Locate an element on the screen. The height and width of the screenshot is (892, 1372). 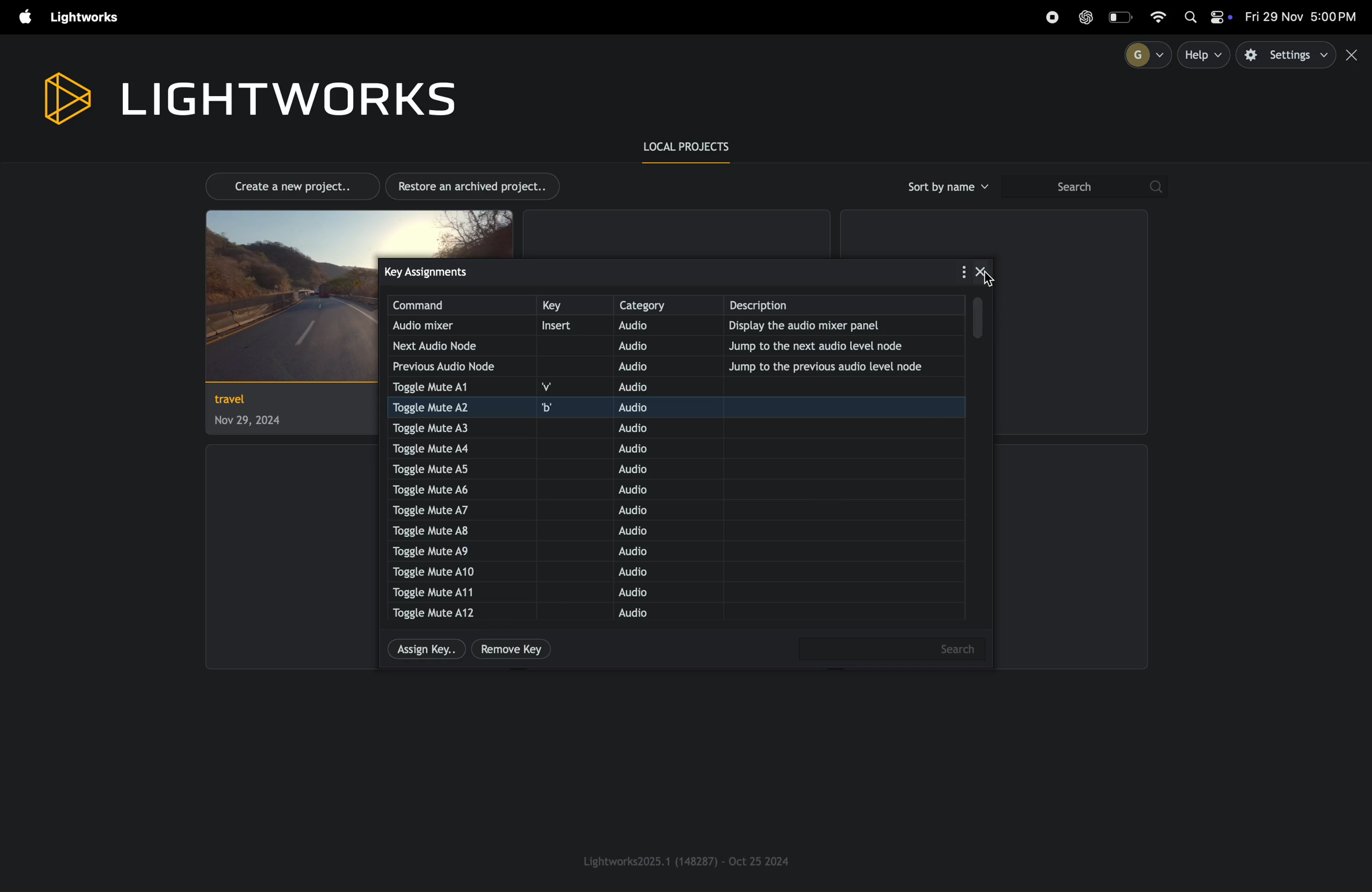
assign key is located at coordinates (422, 651).